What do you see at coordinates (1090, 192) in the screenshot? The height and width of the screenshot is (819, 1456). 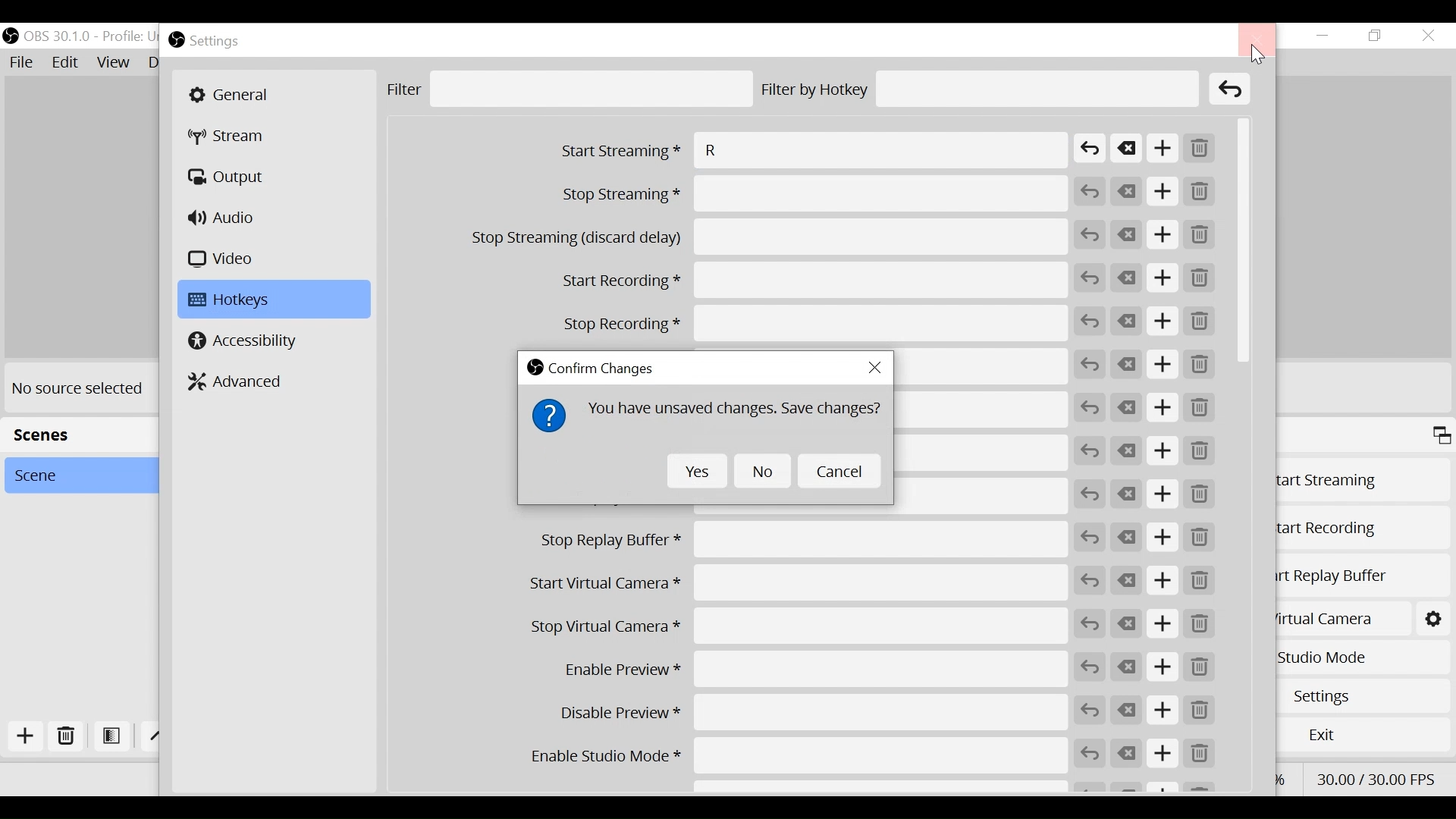 I see `Revert` at bounding box center [1090, 192].